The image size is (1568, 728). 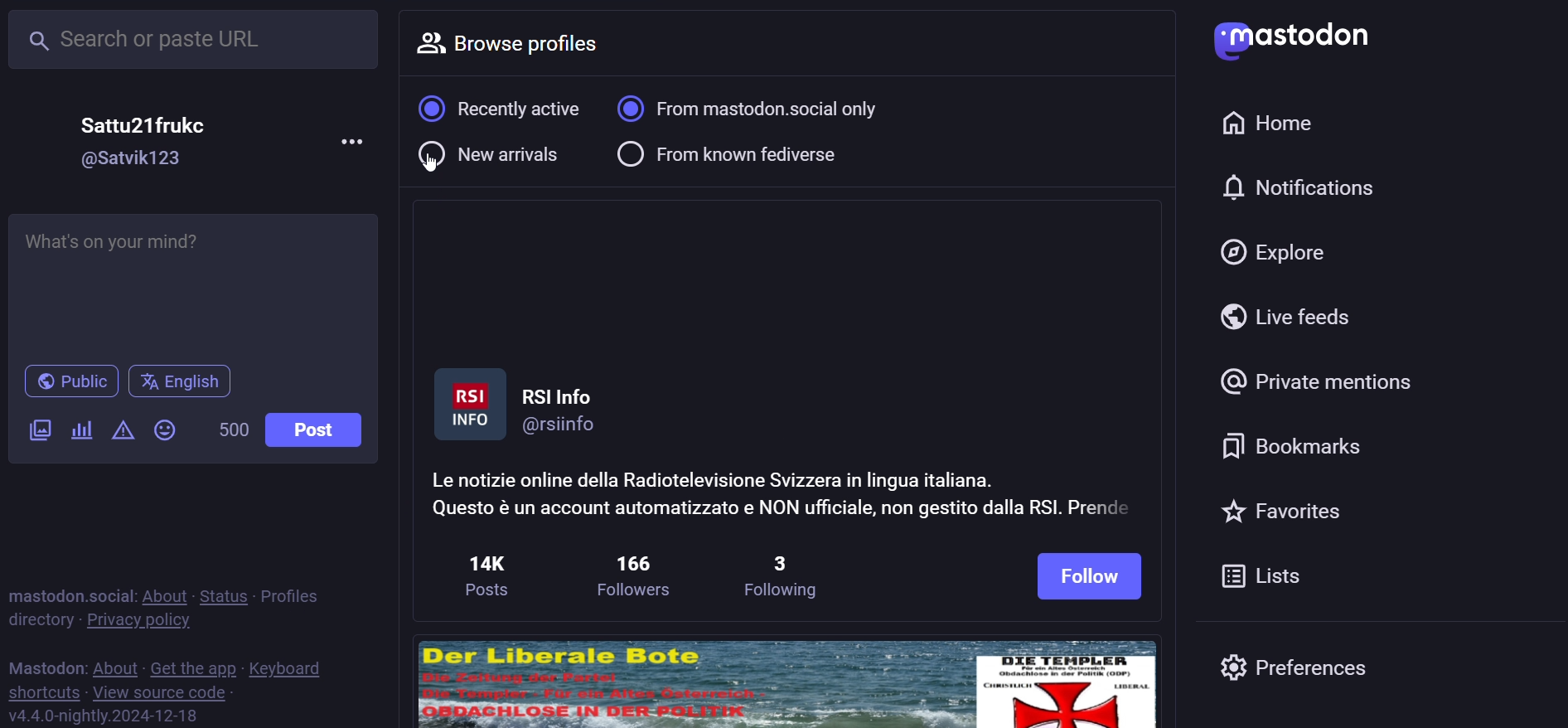 I want to click on What's on your mind?, so click(x=192, y=285).